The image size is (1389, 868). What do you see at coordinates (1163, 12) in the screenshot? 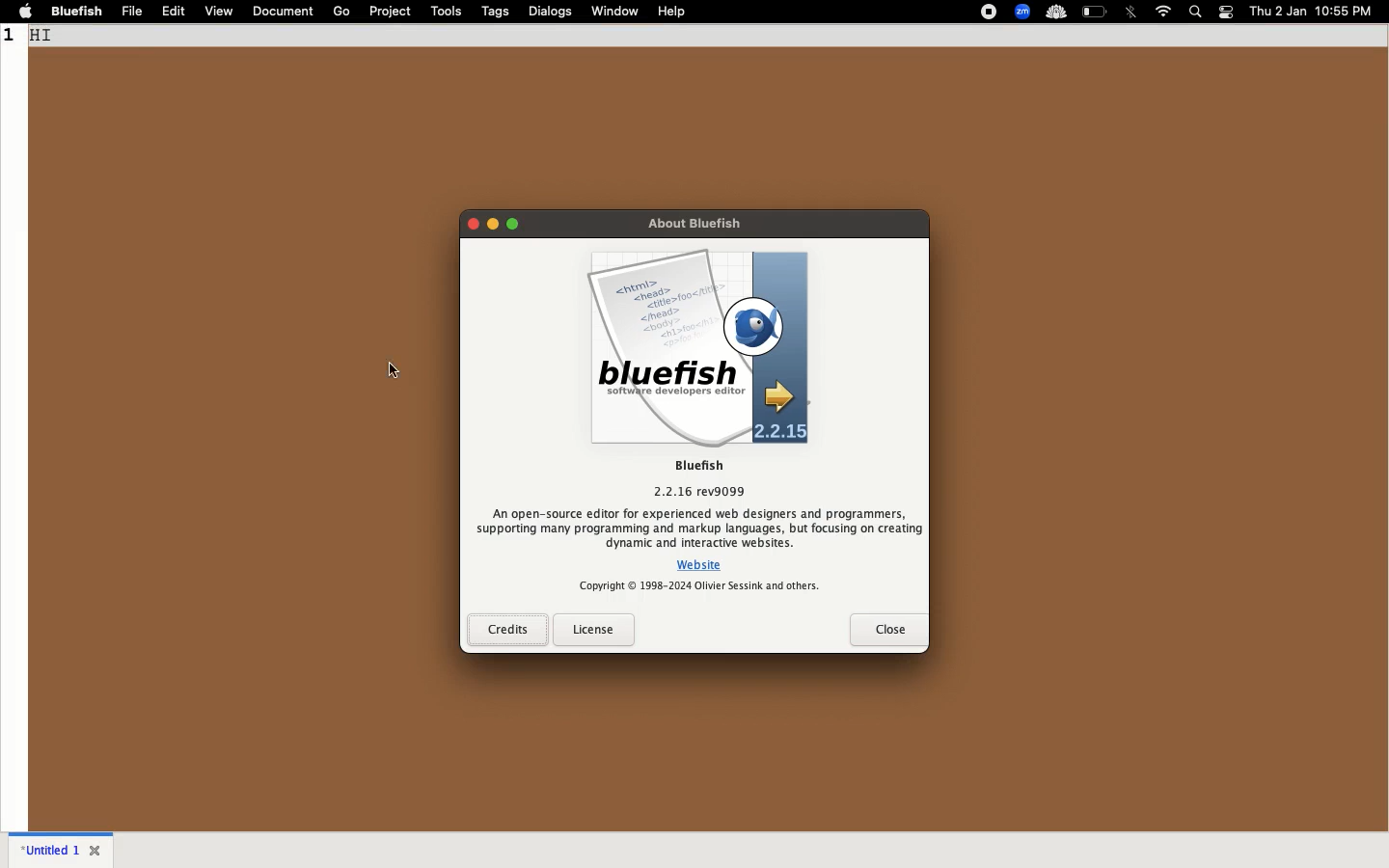
I see `internet` at bounding box center [1163, 12].